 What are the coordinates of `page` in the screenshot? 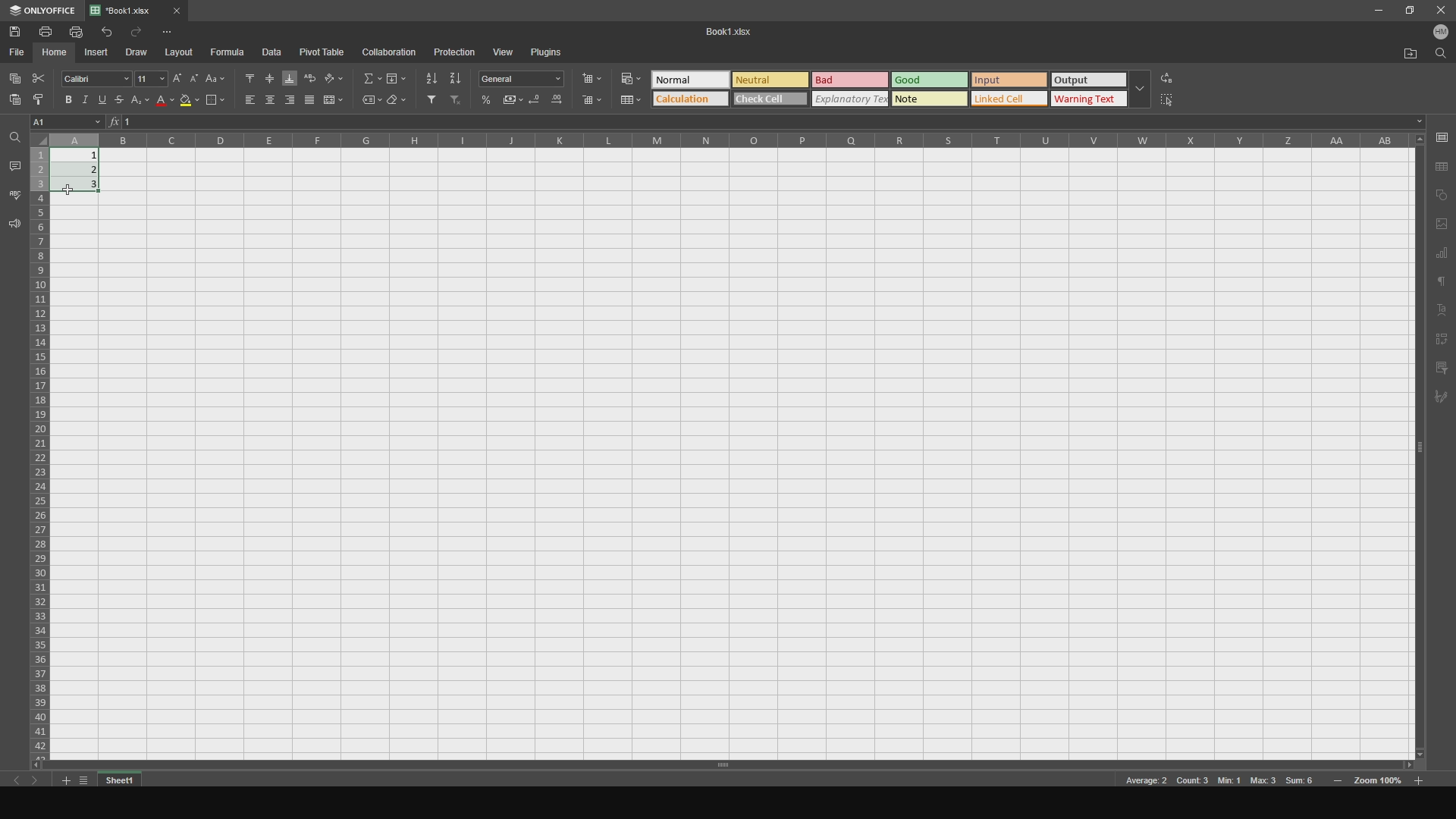 It's located at (1442, 224).